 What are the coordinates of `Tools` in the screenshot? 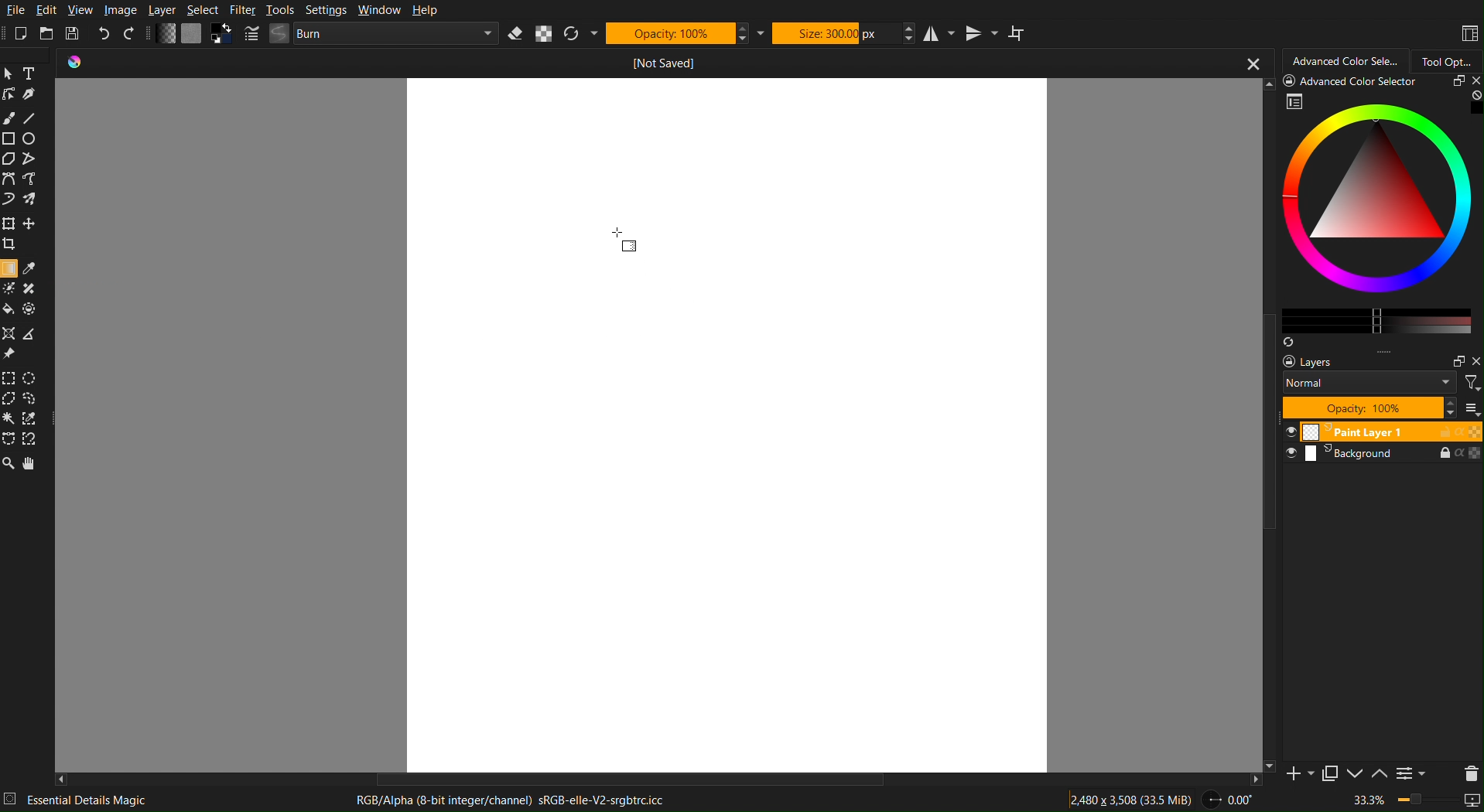 It's located at (280, 10).